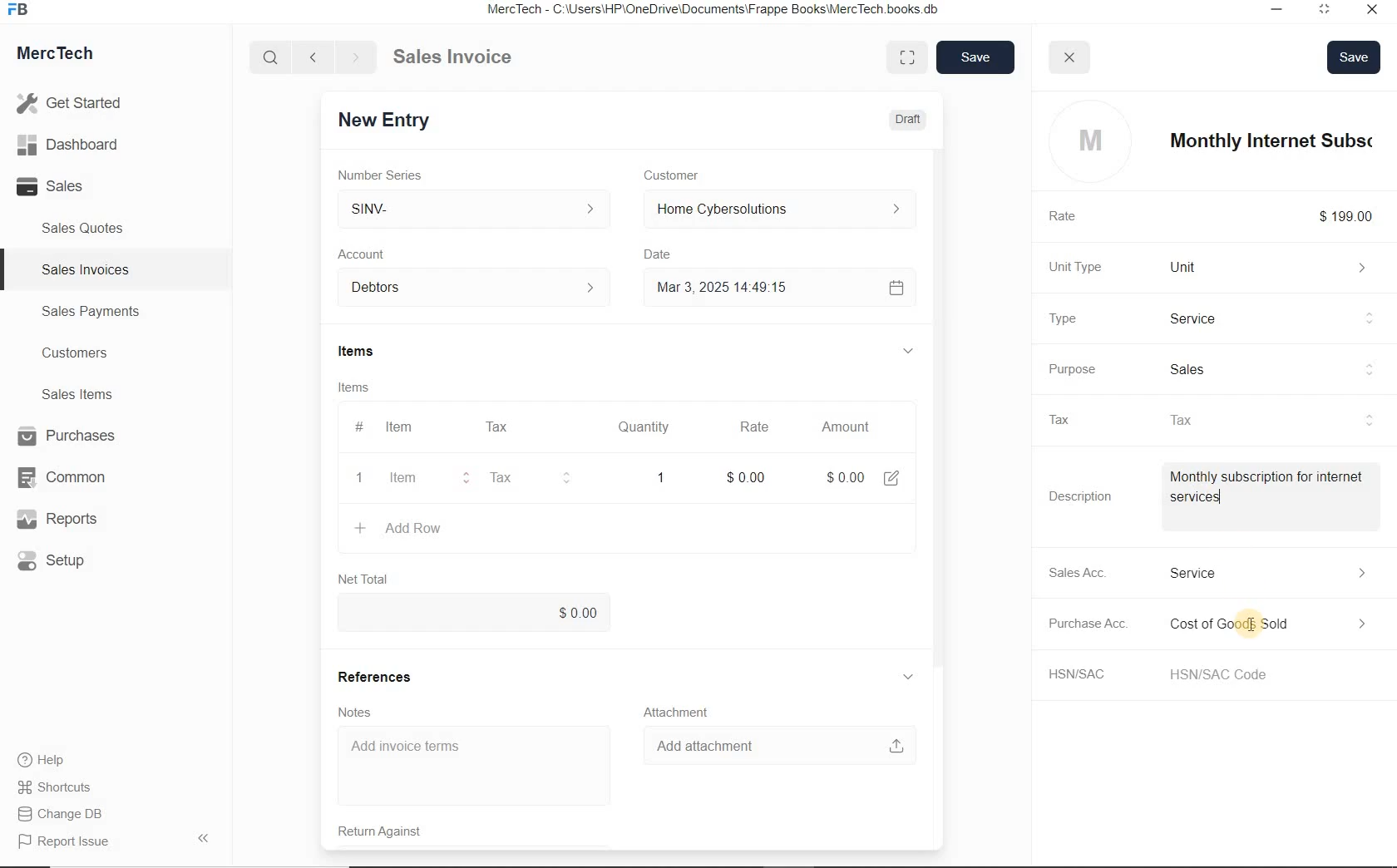 The width and height of the screenshot is (1397, 868). What do you see at coordinates (1261, 420) in the screenshot?
I see `tax` at bounding box center [1261, 420].